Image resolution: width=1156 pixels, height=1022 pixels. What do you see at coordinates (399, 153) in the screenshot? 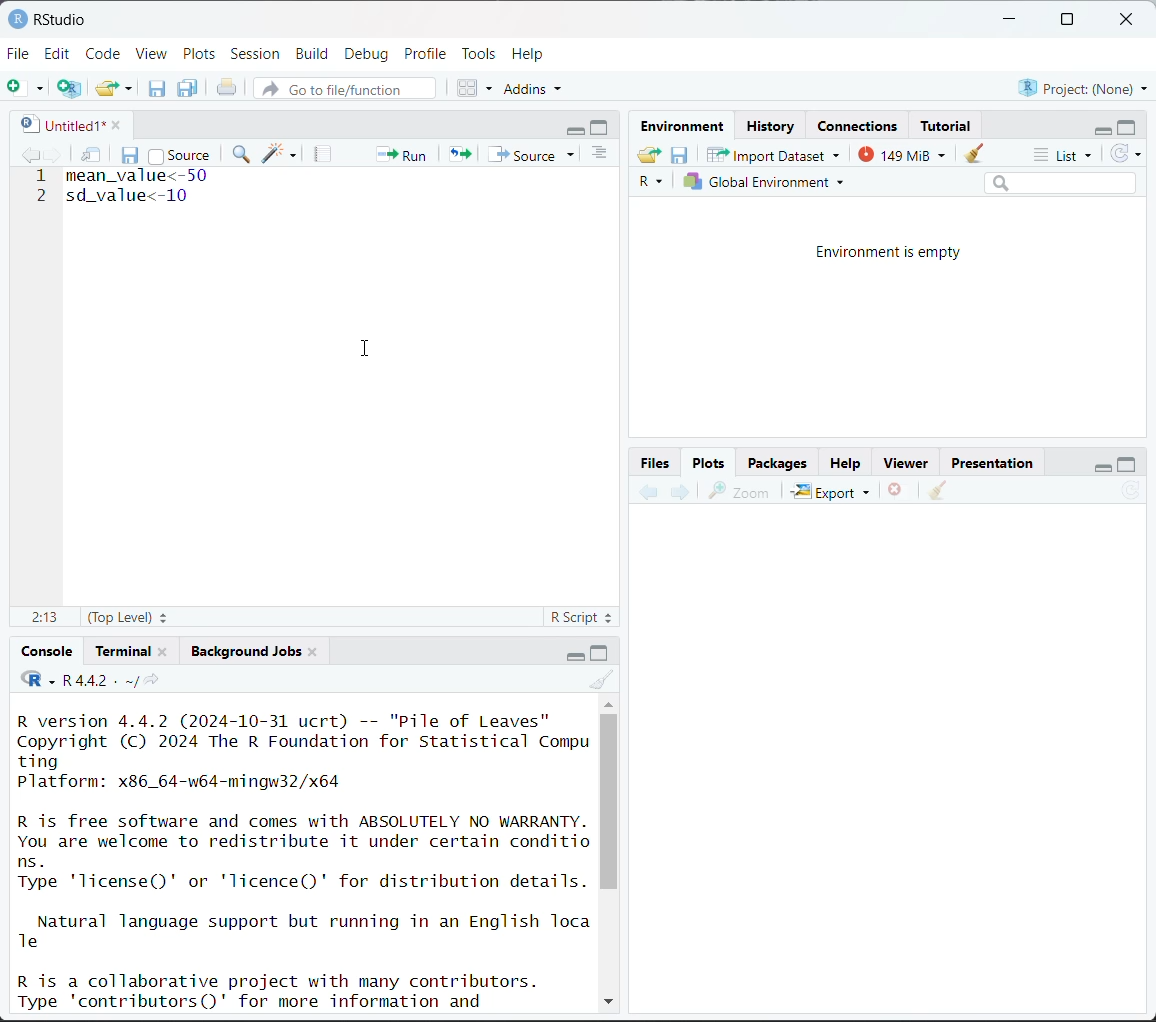
I see `run` at bounding box center [399, 153].